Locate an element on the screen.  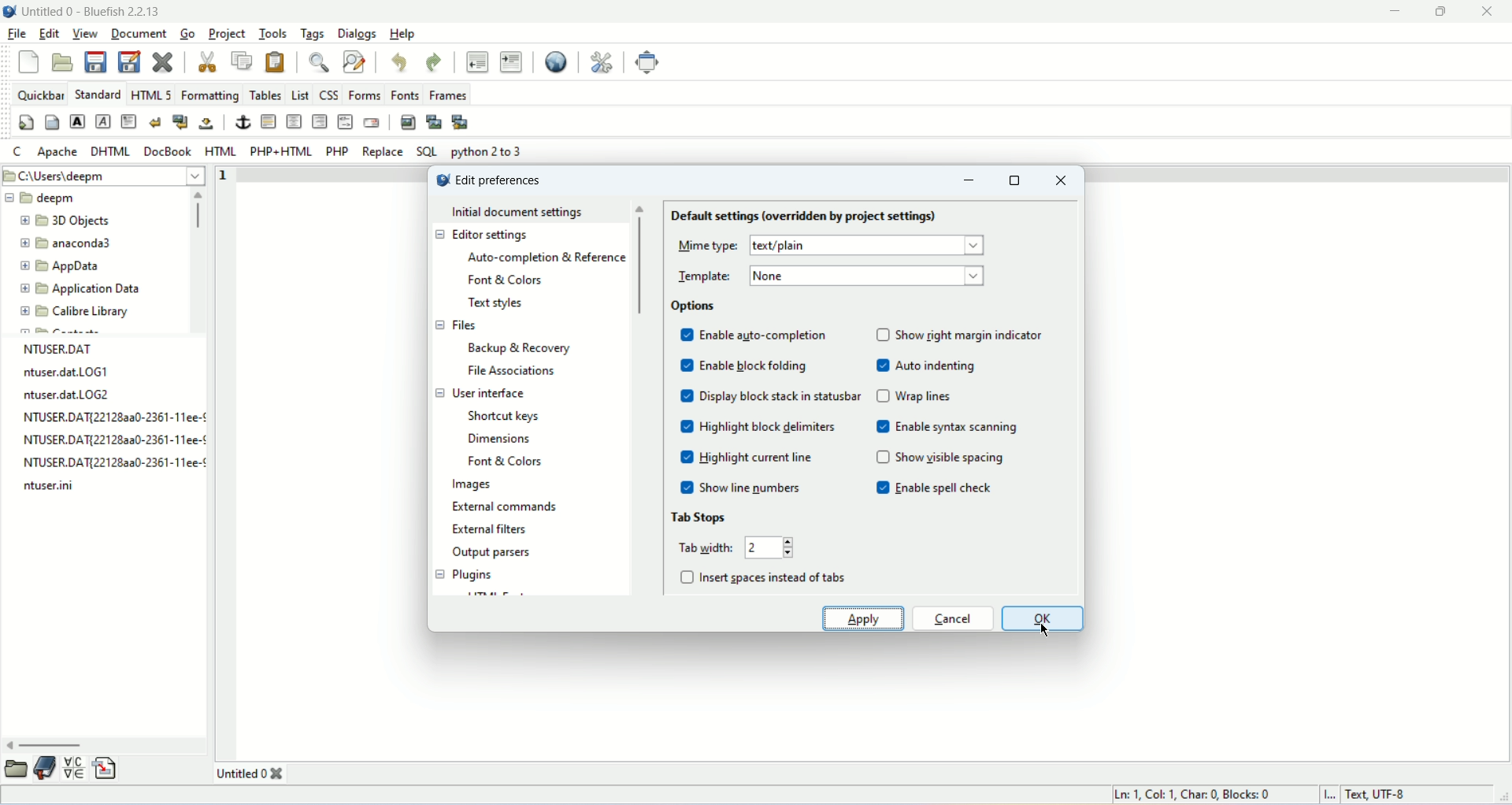
preview in browser is located at coordinates (554, 60).